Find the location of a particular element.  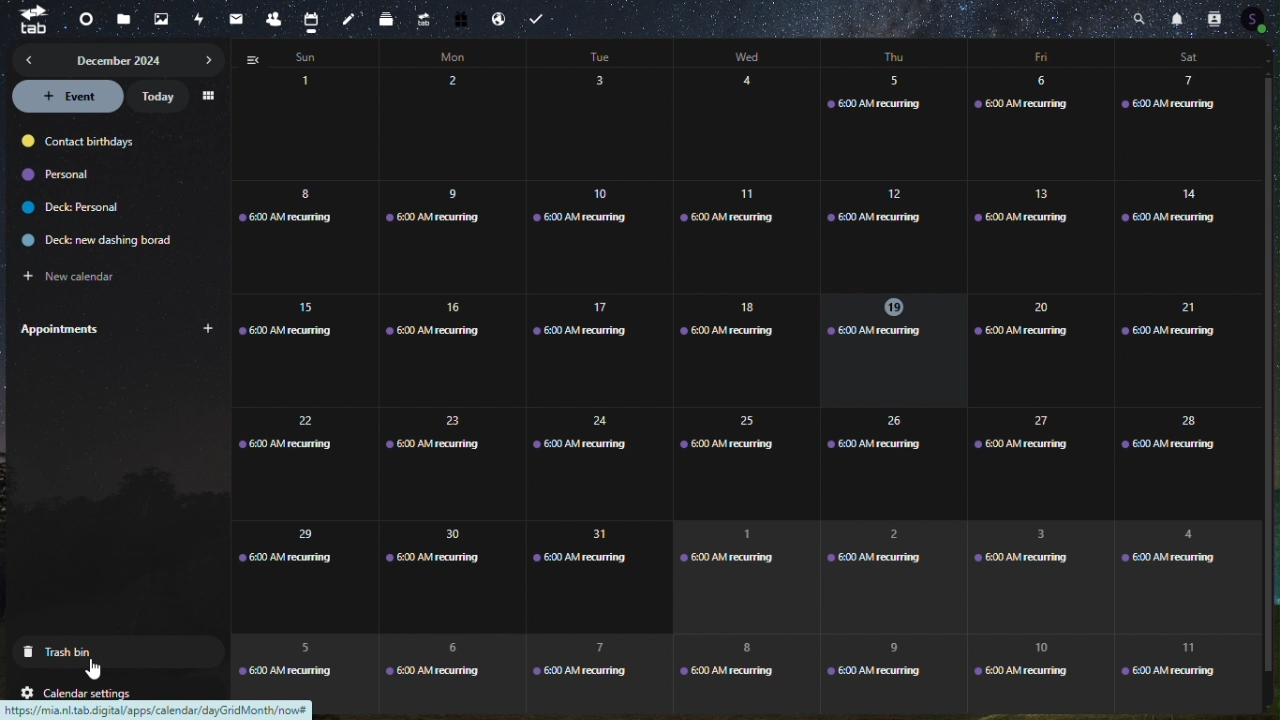

9 is located at coordinates (876, 673).